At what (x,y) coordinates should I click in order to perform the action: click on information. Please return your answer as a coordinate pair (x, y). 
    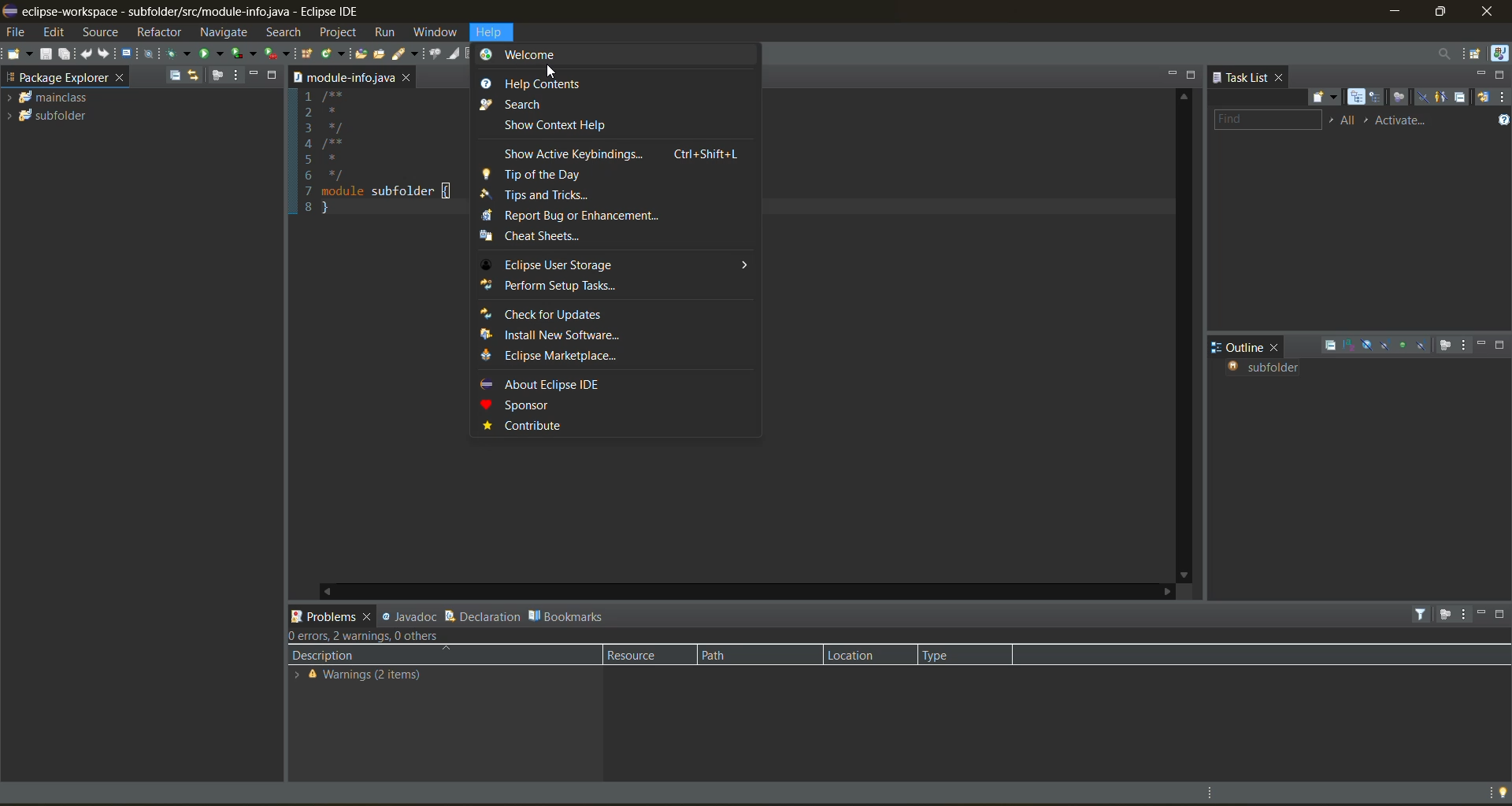
    Looking at the image, I should click on (358, 678).